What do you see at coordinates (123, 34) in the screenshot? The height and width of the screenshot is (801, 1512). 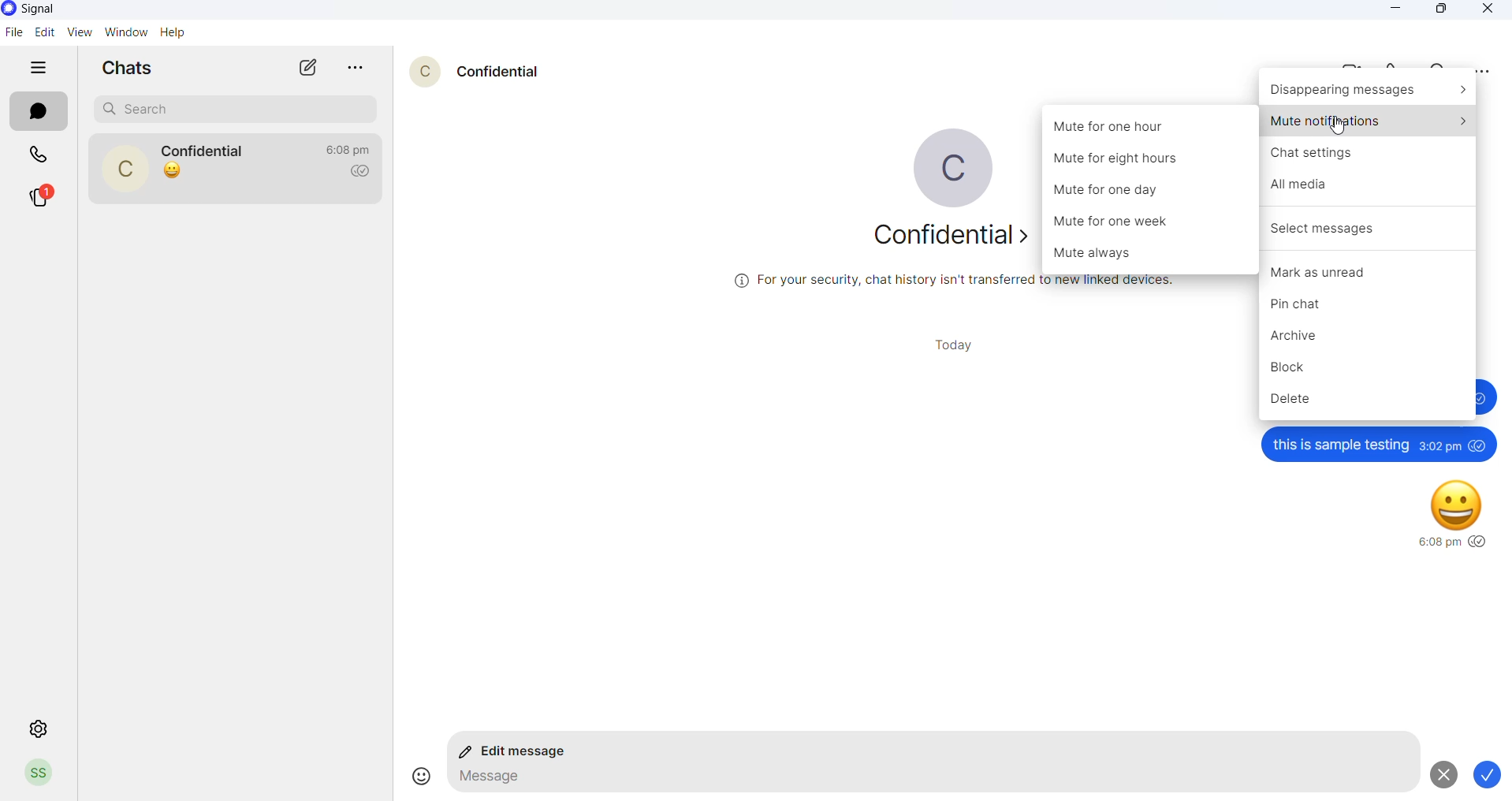 I see `window` at bounding box center [123, 34].